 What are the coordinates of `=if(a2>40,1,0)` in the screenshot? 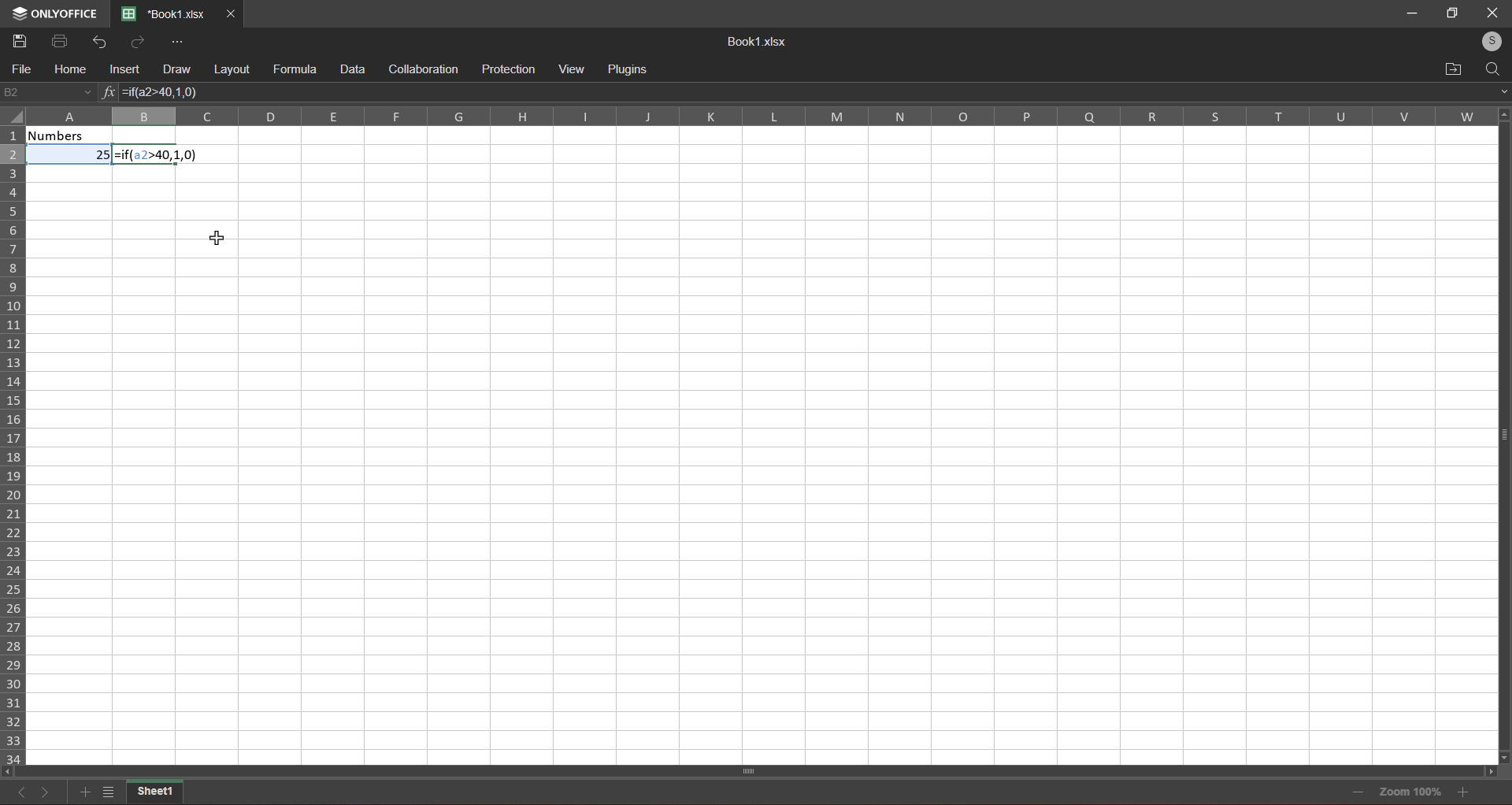 It's located at (160, 155).